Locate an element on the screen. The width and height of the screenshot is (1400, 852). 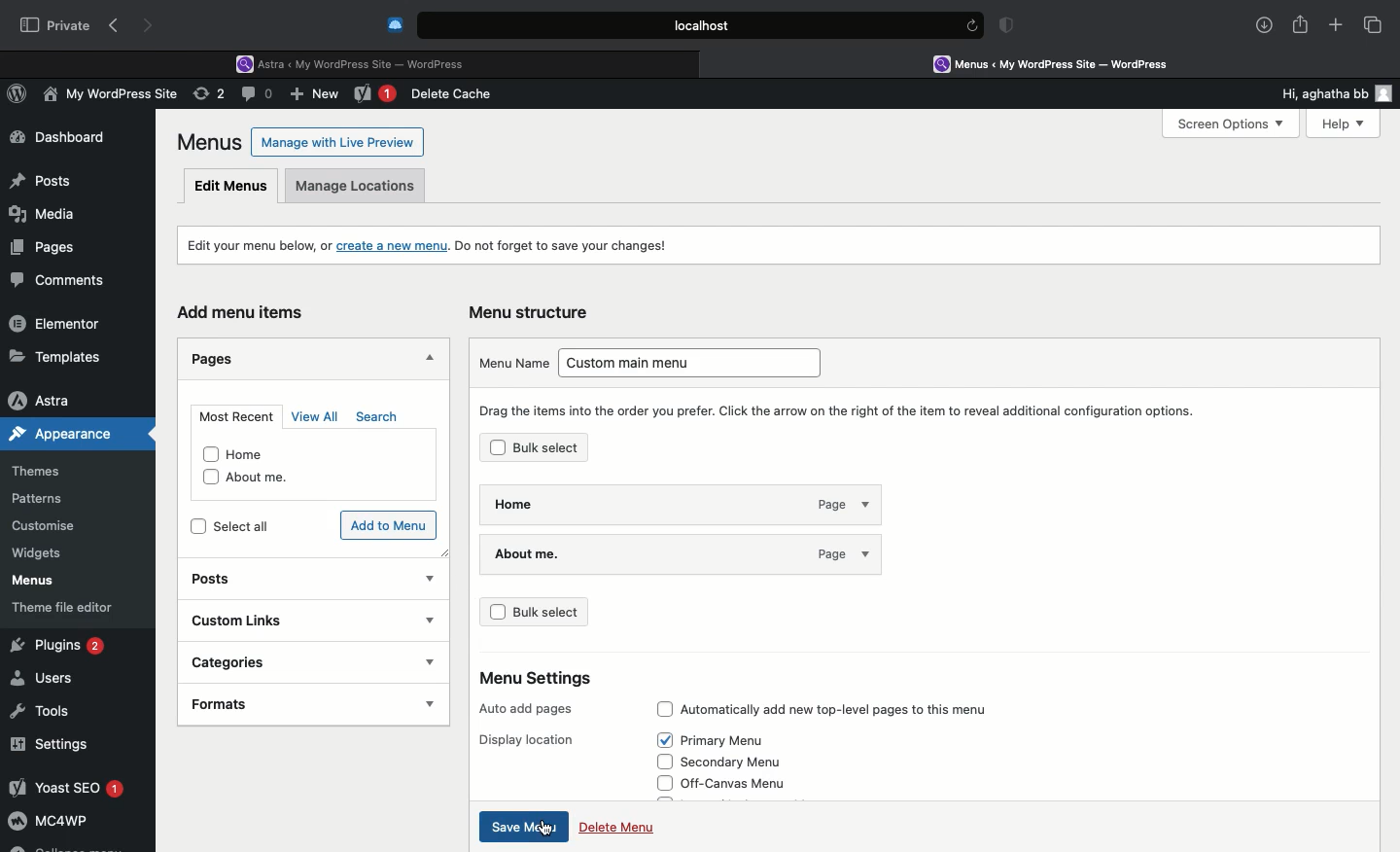
Add new tab is located at coordinates (1336, 28).